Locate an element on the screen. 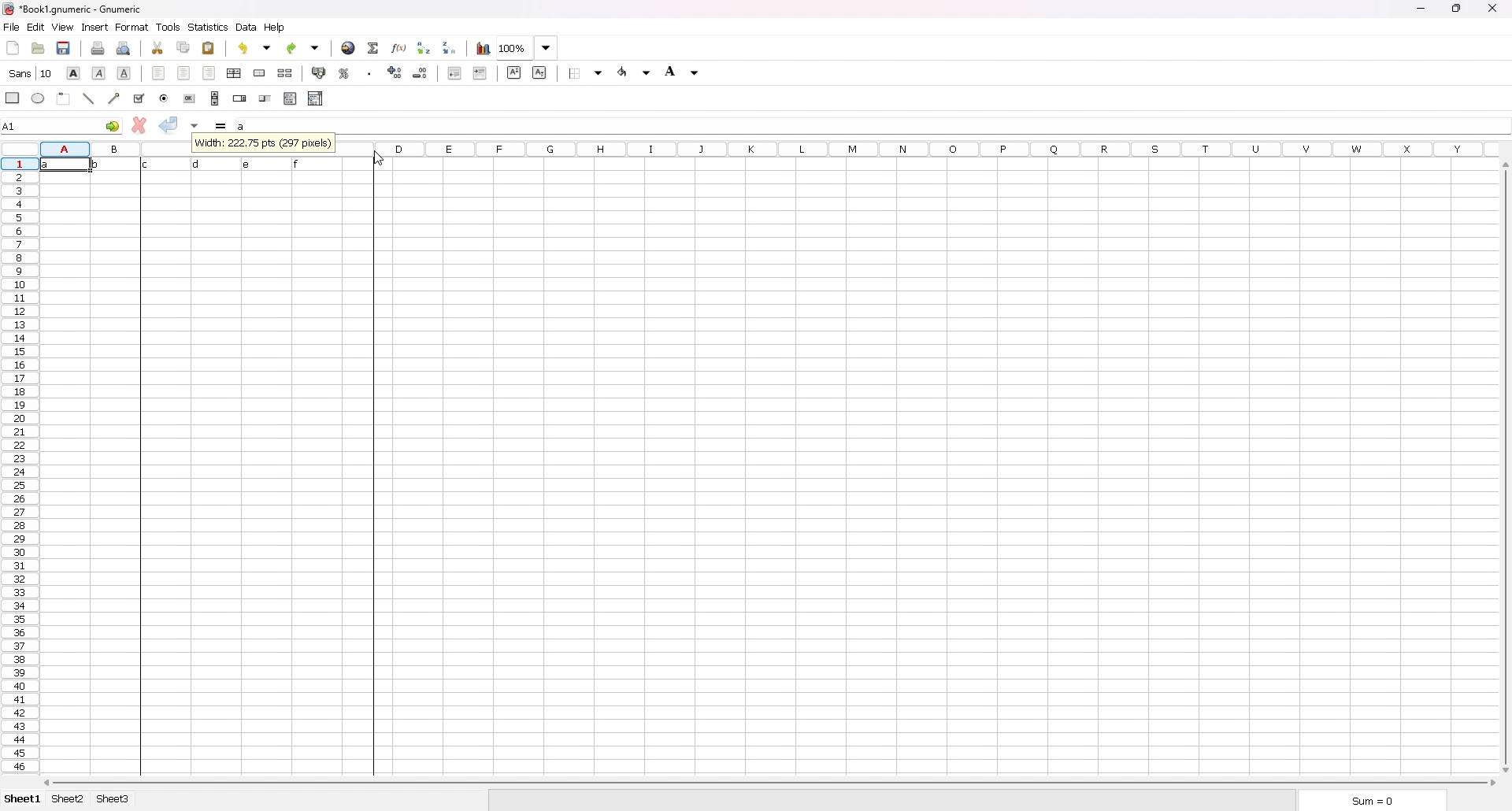 This screenshot has height=811, width=1512. decrease decimals is located at coordinates (421, 72).